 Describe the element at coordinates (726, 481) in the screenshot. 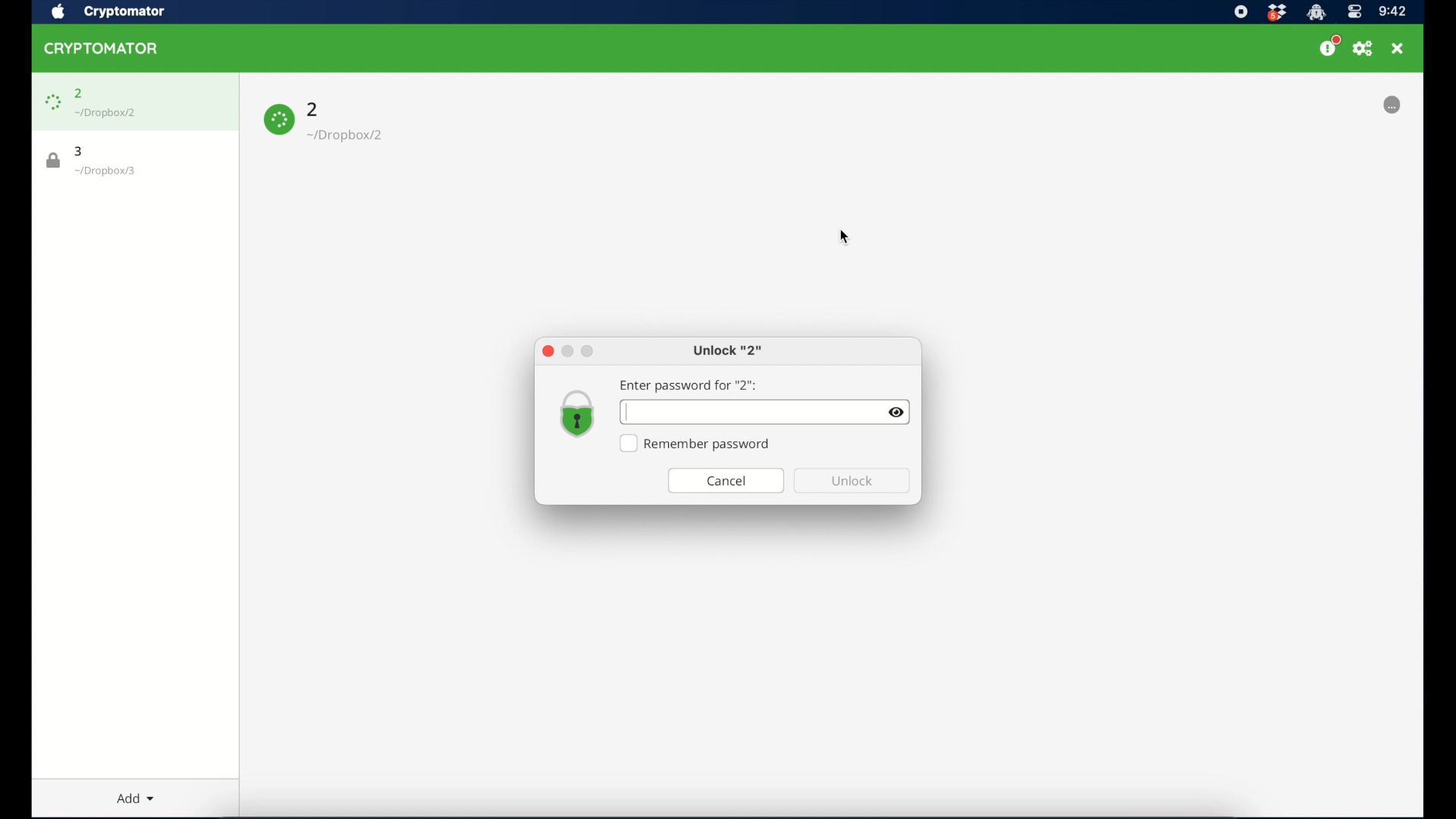

I see `cancel` at that location.